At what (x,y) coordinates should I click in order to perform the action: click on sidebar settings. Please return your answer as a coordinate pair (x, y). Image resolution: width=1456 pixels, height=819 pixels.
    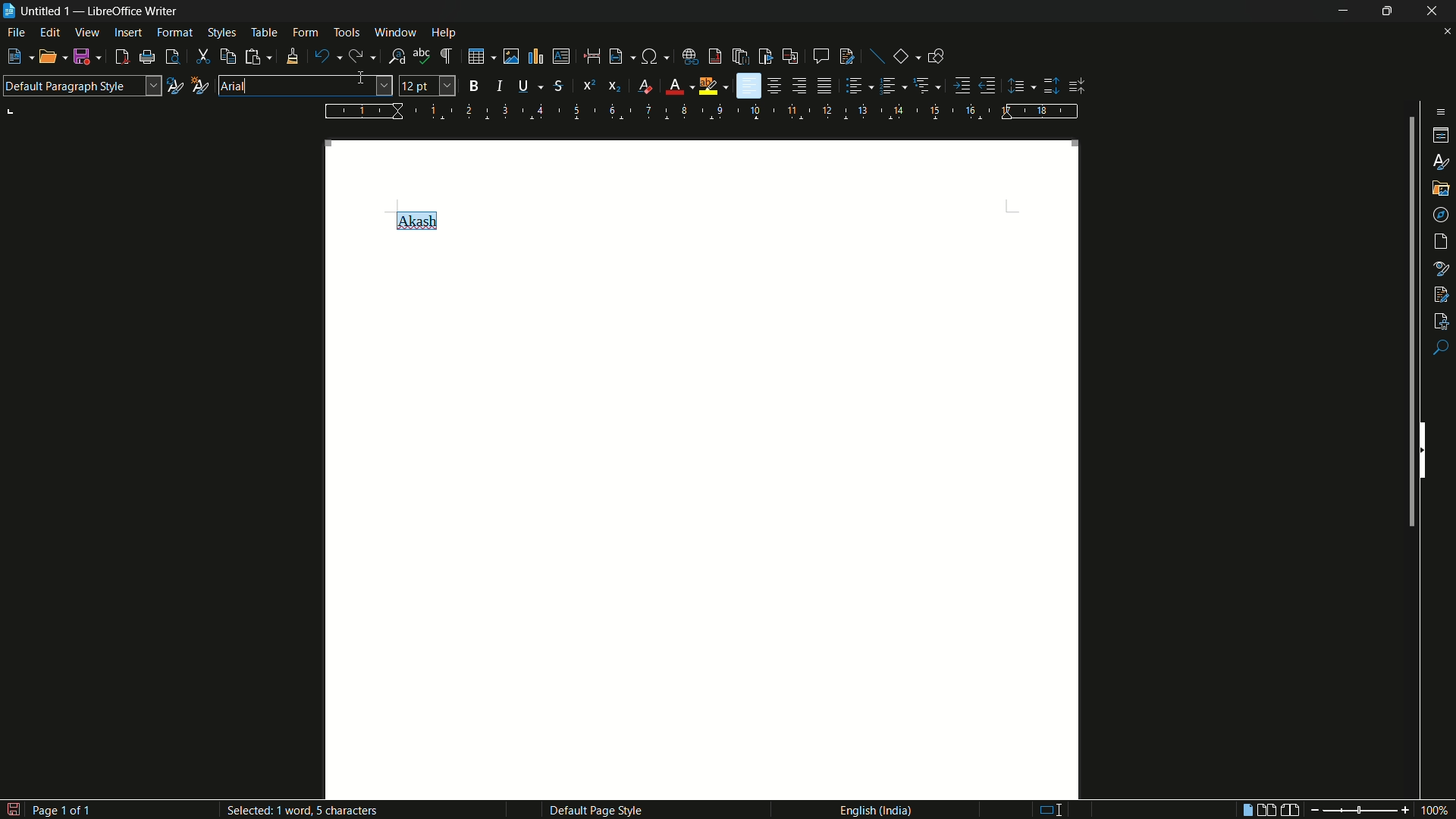
    Looking at the image, I should click on (1438, 111).